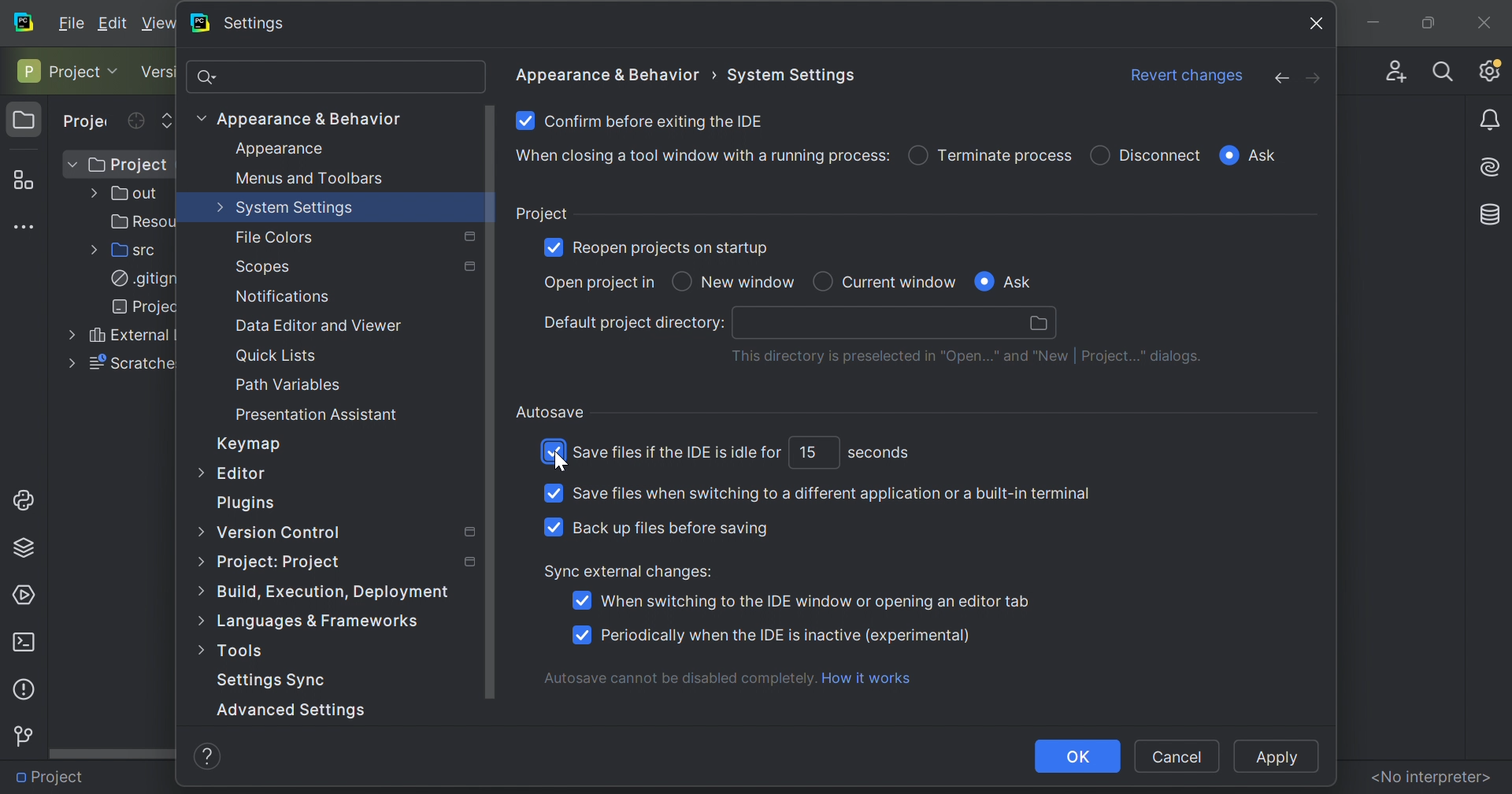 The width and height of the screenshot is (1512, 794). What do you see at coordinates (1314, 78) in the screenshot?
I see `Forward` at bounding box center [1314, 78].